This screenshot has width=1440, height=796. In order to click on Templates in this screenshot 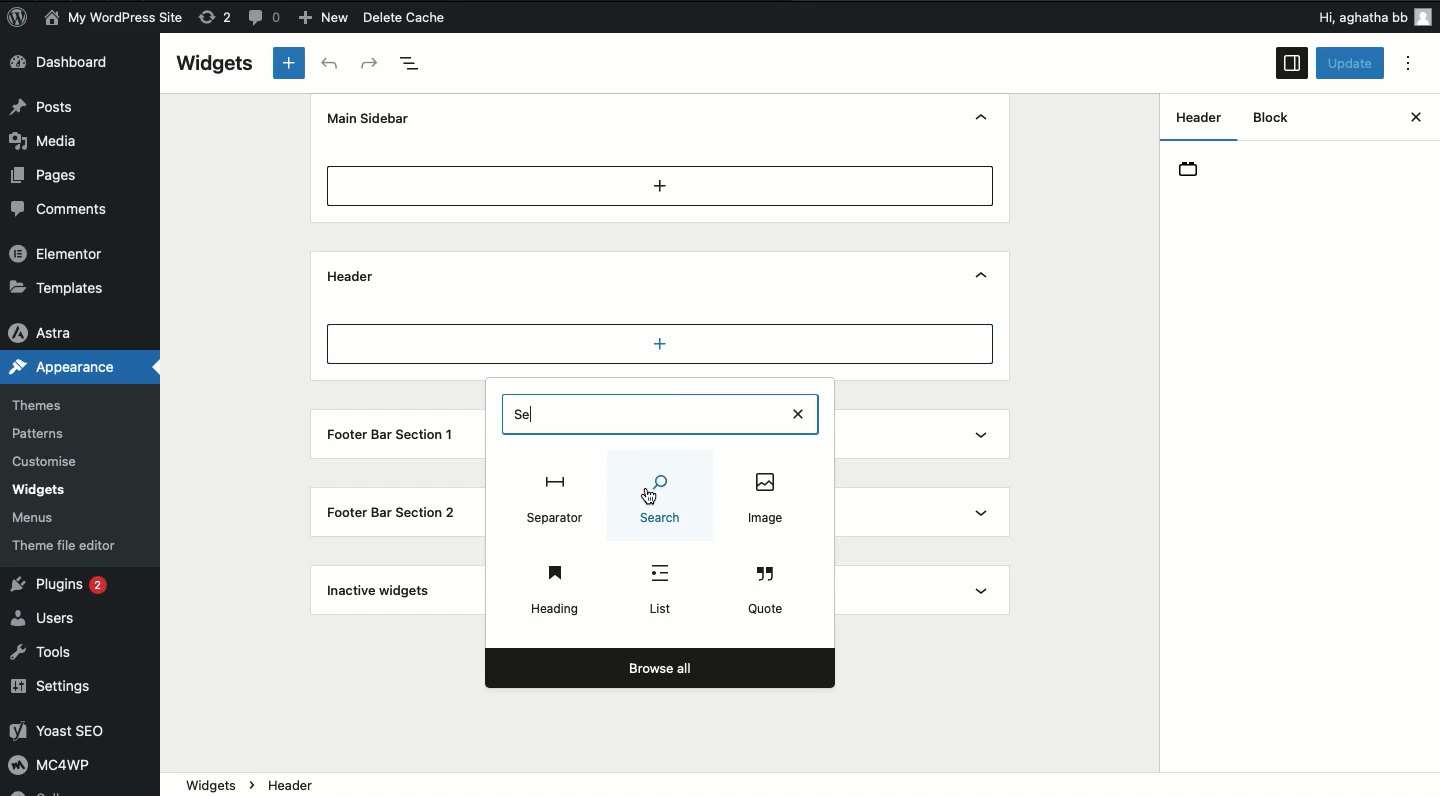, I will do `click(58, 287)`.